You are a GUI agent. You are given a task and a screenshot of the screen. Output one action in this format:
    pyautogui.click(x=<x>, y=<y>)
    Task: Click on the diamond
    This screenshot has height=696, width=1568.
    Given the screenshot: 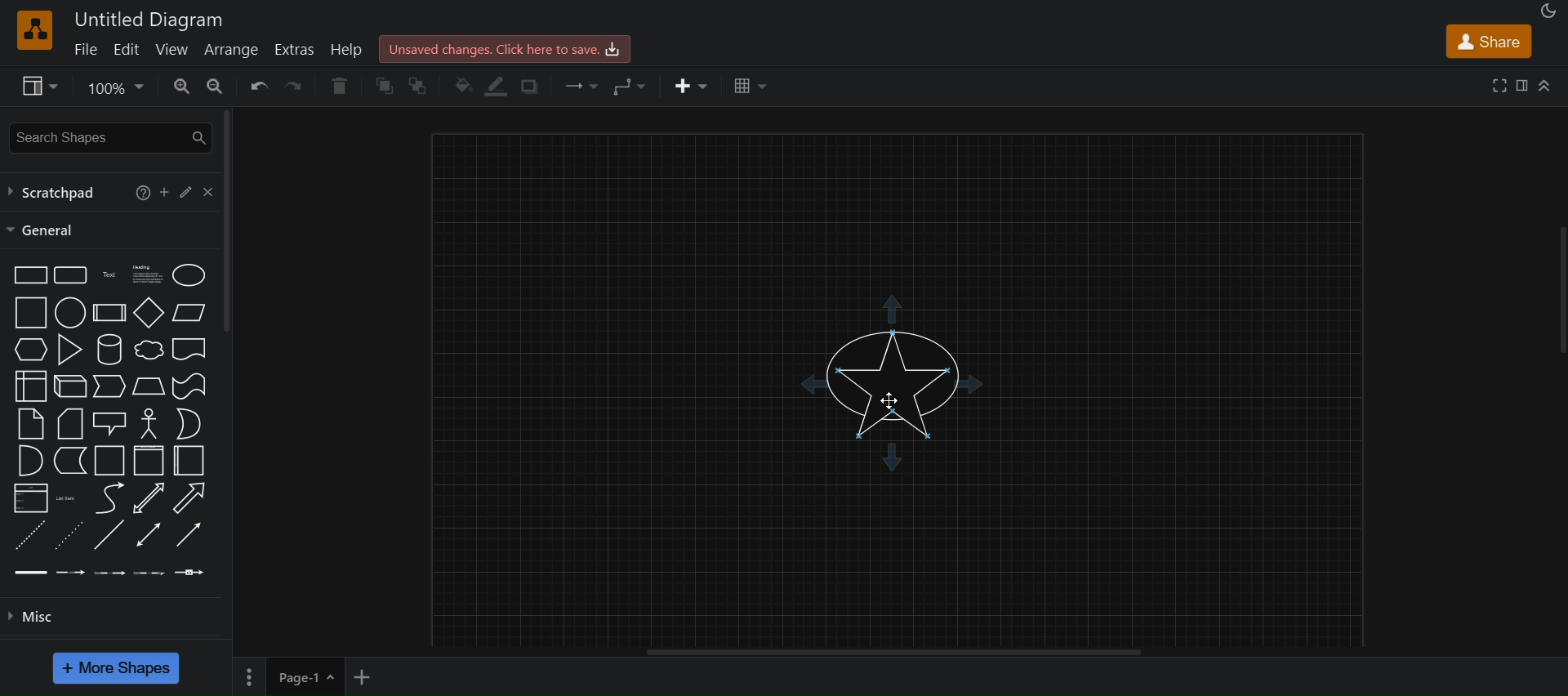 What is the action you would take?
    pyautogui.click(x=149, y=313)
    